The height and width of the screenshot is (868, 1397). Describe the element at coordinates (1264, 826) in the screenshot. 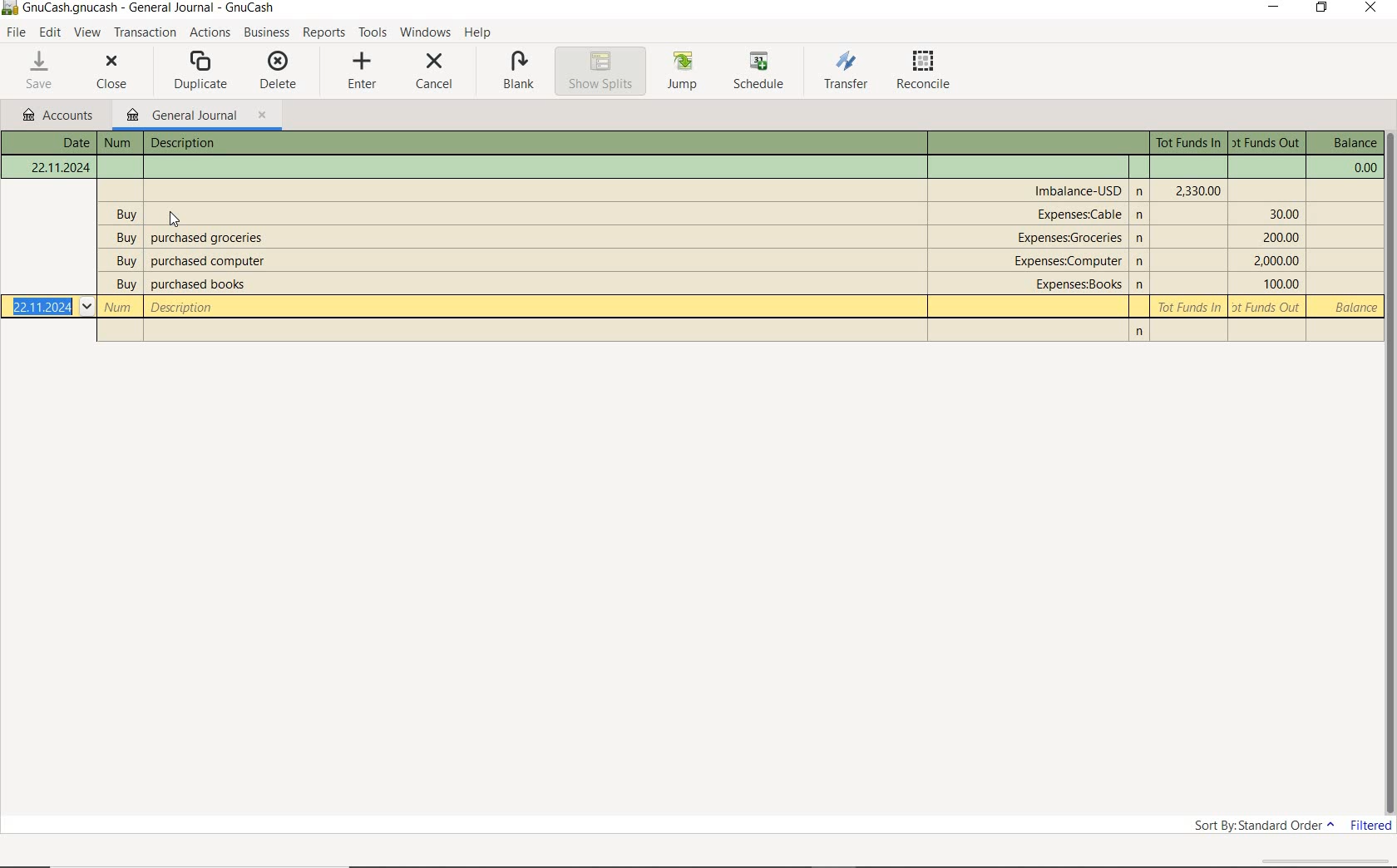

I see `sort by` at that location.